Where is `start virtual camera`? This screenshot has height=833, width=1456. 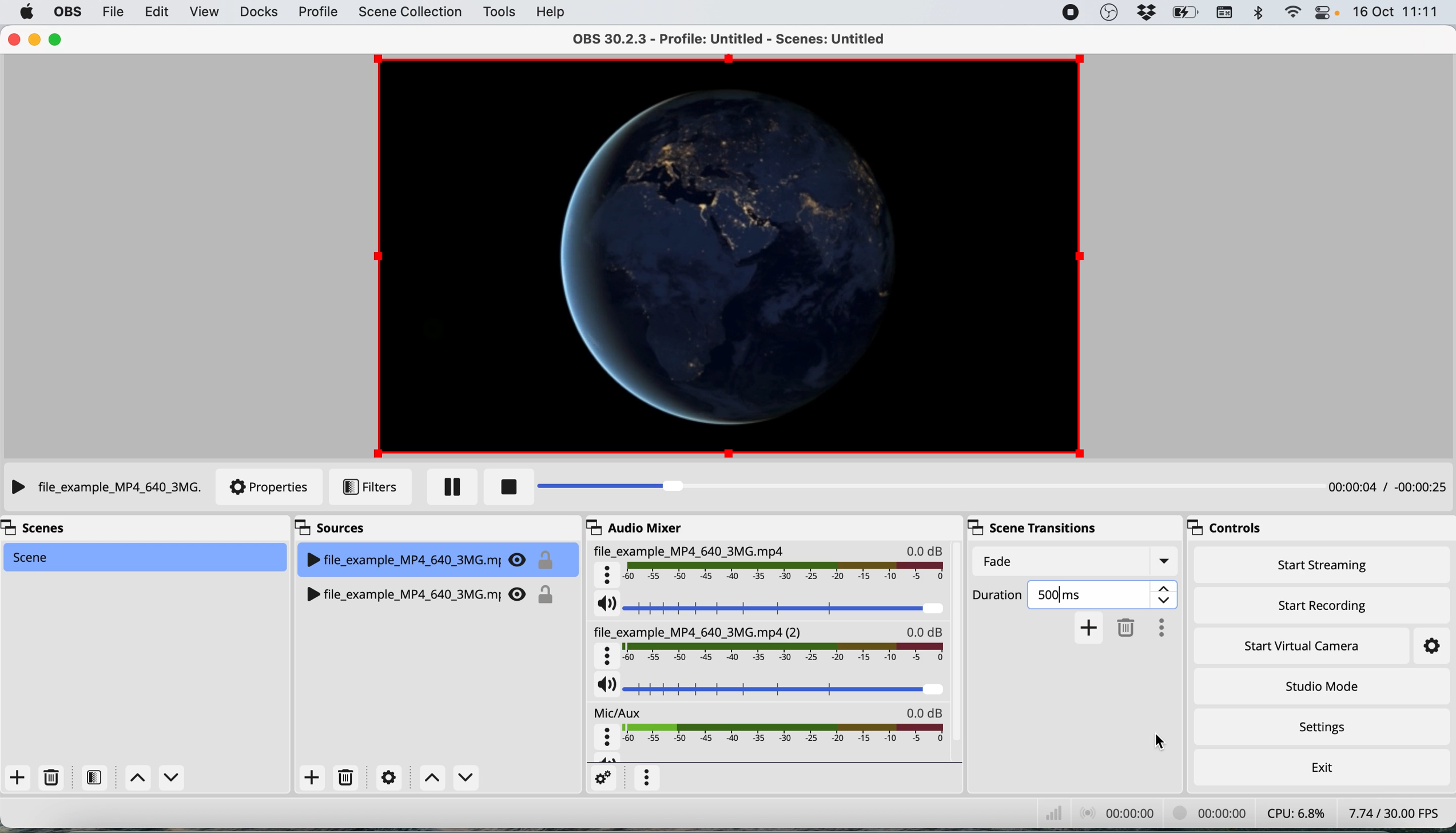
start virtual camera is located at coordinates (1307, 646).